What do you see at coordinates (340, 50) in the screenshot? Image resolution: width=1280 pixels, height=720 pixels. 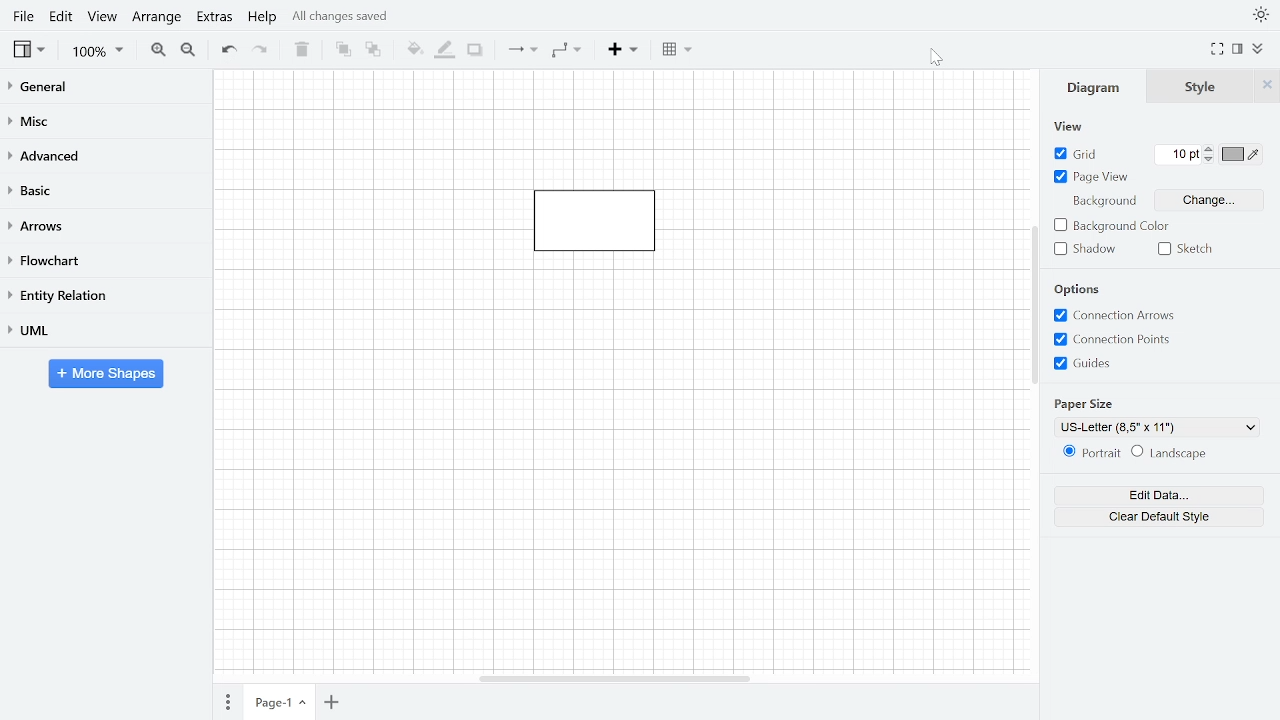 I see `To front` at bounding box center [340, 50].